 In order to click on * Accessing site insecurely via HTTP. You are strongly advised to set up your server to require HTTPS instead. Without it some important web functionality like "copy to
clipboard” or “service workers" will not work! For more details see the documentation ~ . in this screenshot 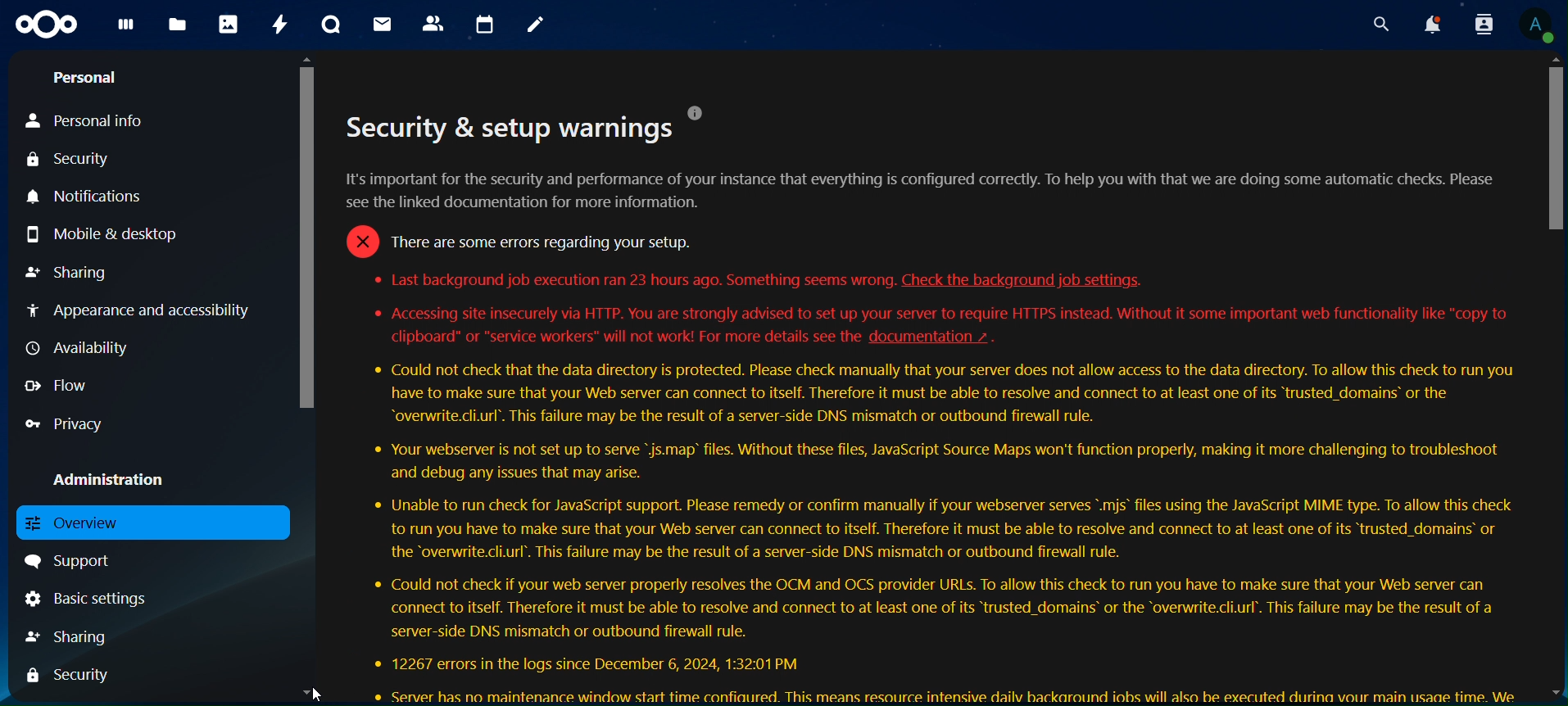, I will do `click(947, 327)`.